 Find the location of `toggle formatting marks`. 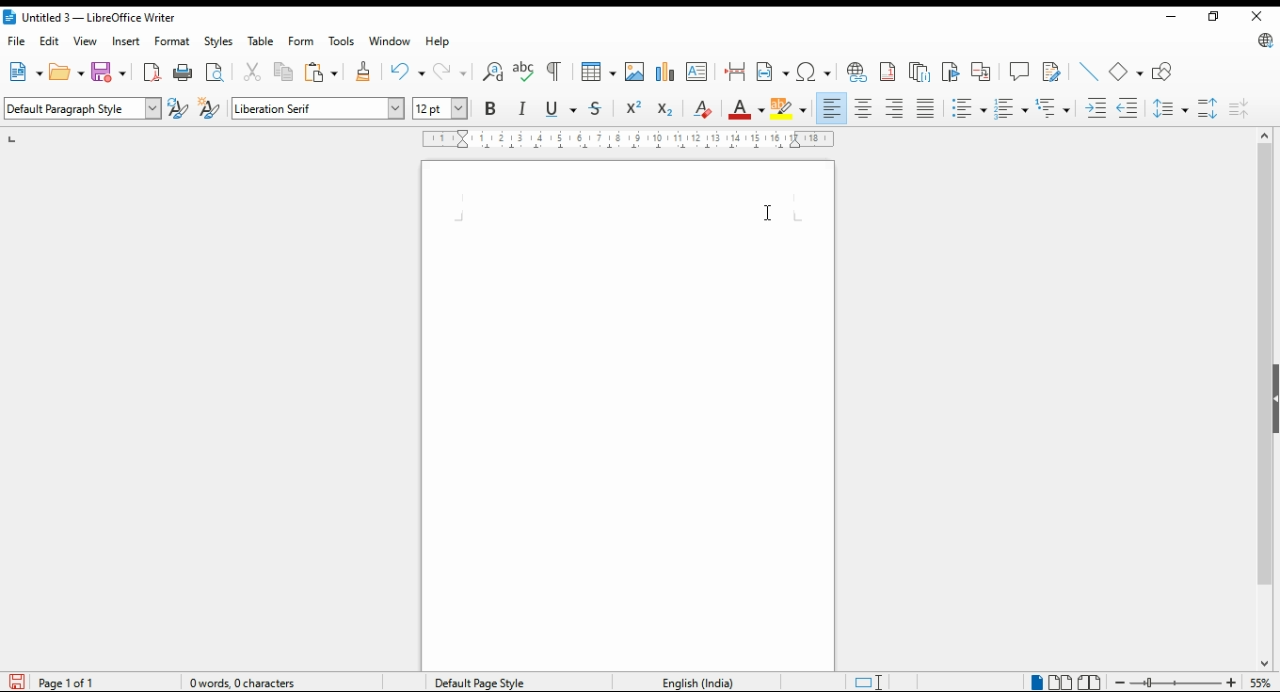

toggle formatting marks is located at coordinates (556, 71).